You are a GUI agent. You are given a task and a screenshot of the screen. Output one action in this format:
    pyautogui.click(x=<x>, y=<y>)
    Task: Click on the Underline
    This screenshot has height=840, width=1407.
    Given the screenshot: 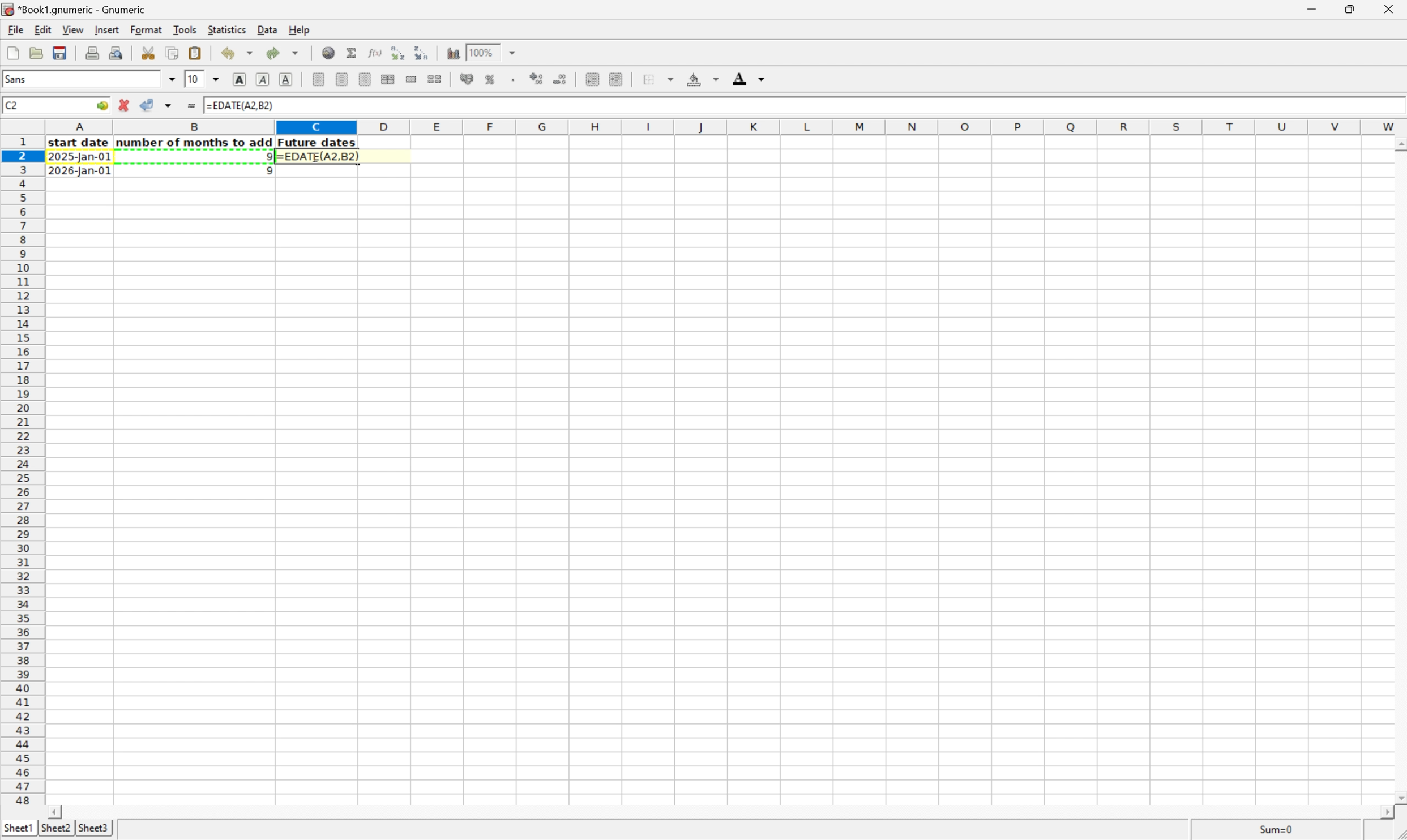 What is the action you would take?
    pyautogui.click(x=288, y=79)
    